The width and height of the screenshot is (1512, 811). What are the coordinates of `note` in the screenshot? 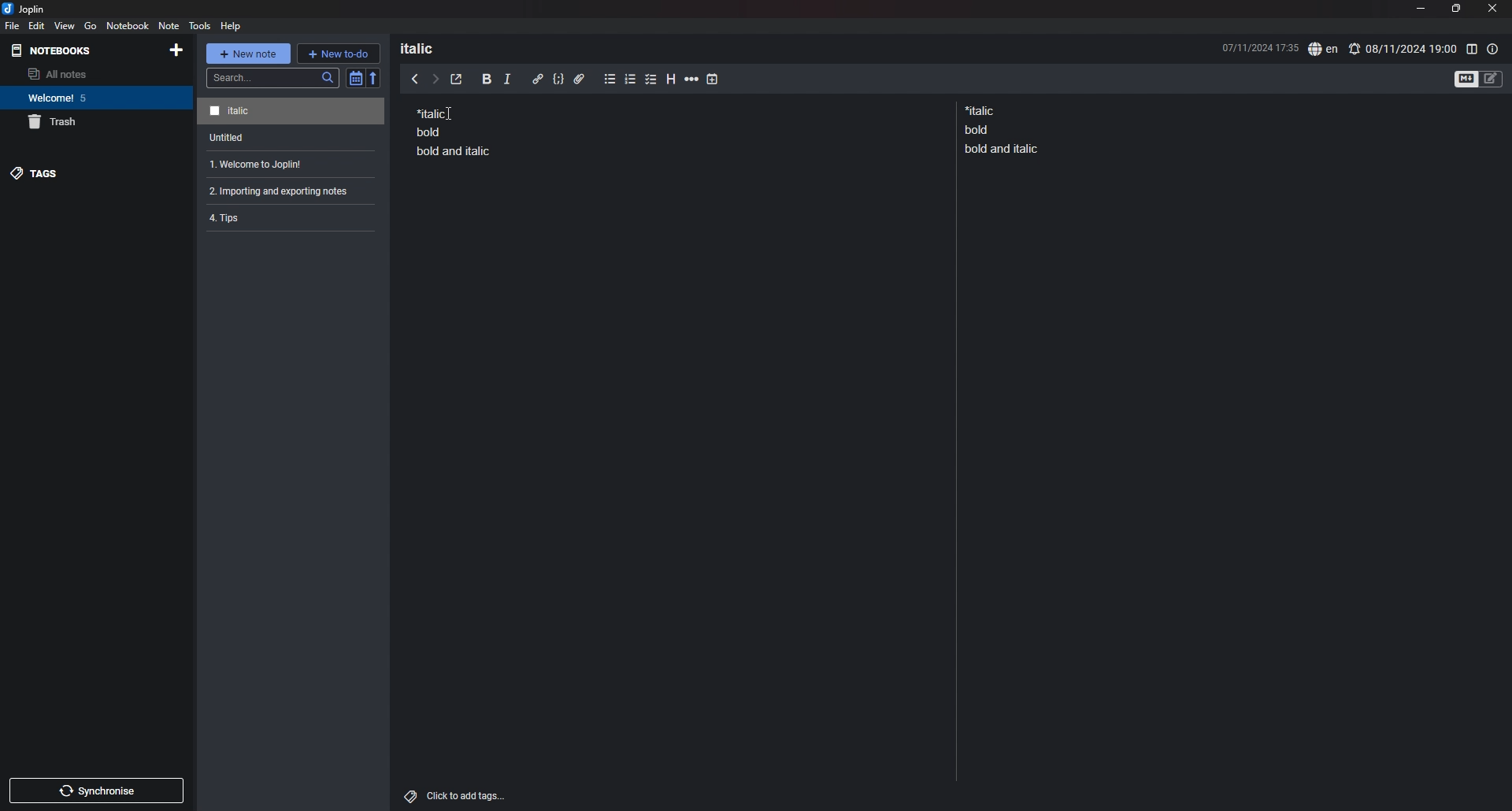 It's located at (454, 131).